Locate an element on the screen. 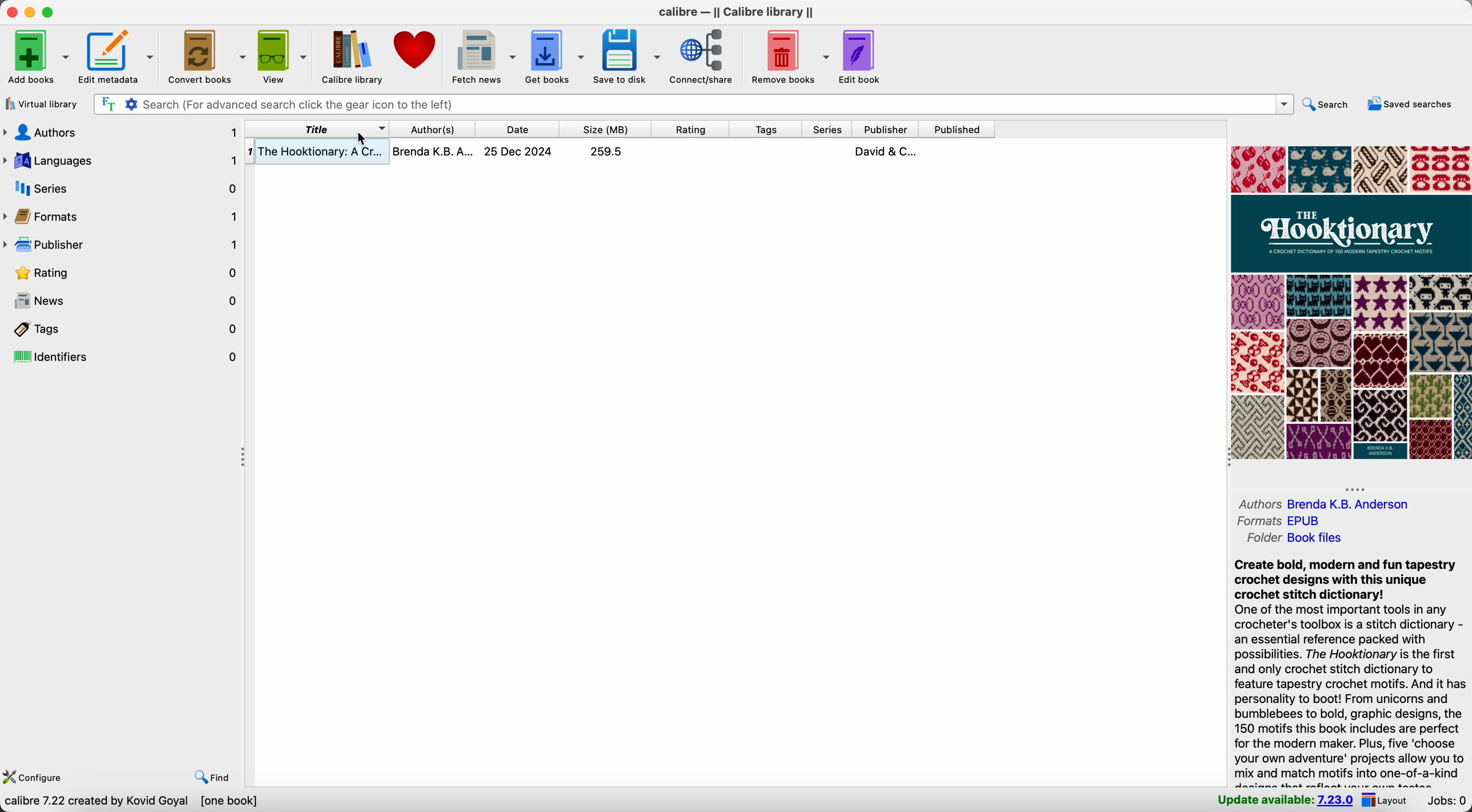 This screenshot has width=1472, height=812. cursor is located at coordinates (368, 138).